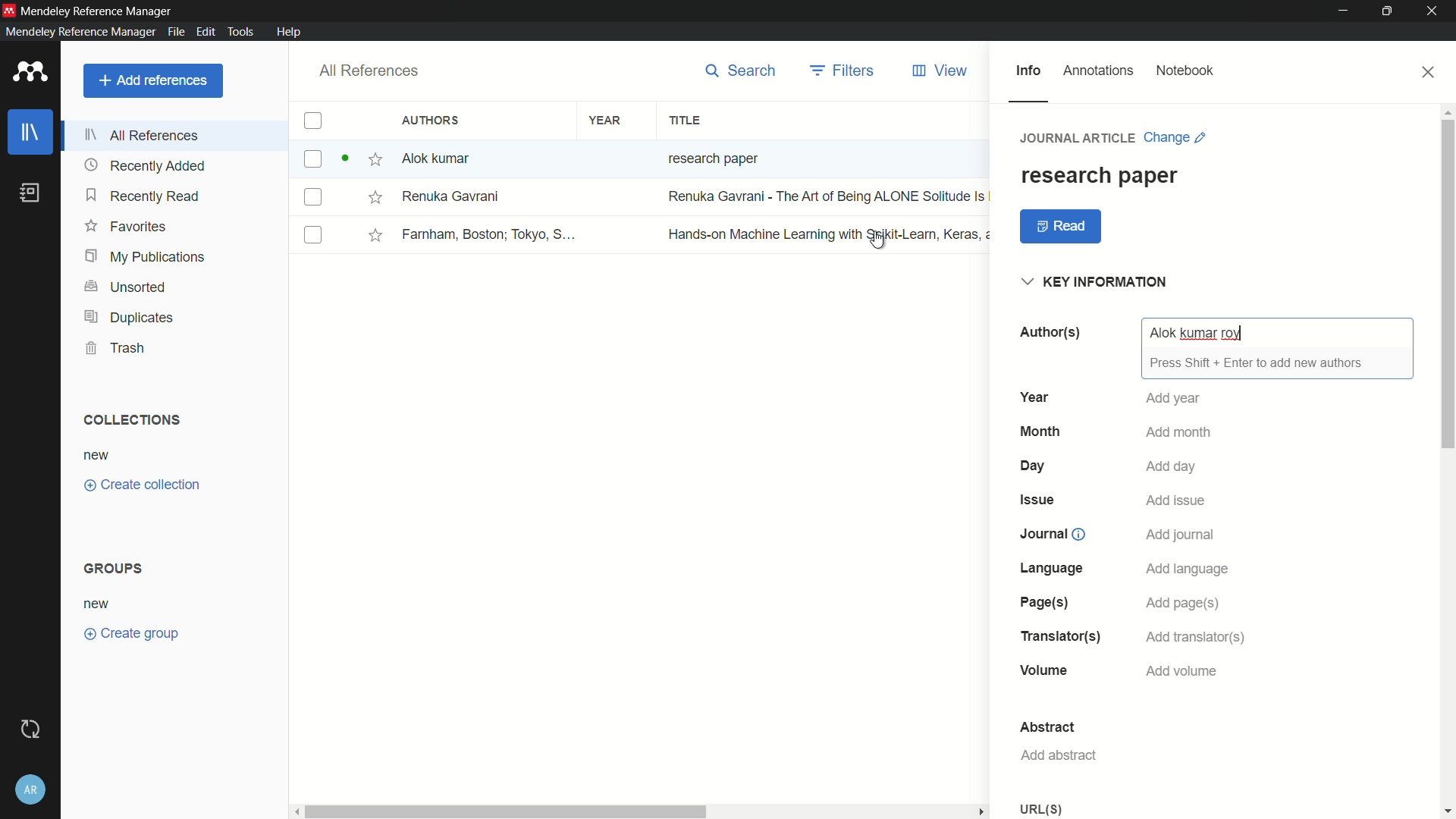 The width and height of the screenshot is (1456, 819). I want to click on translation, so click(1057, 636).